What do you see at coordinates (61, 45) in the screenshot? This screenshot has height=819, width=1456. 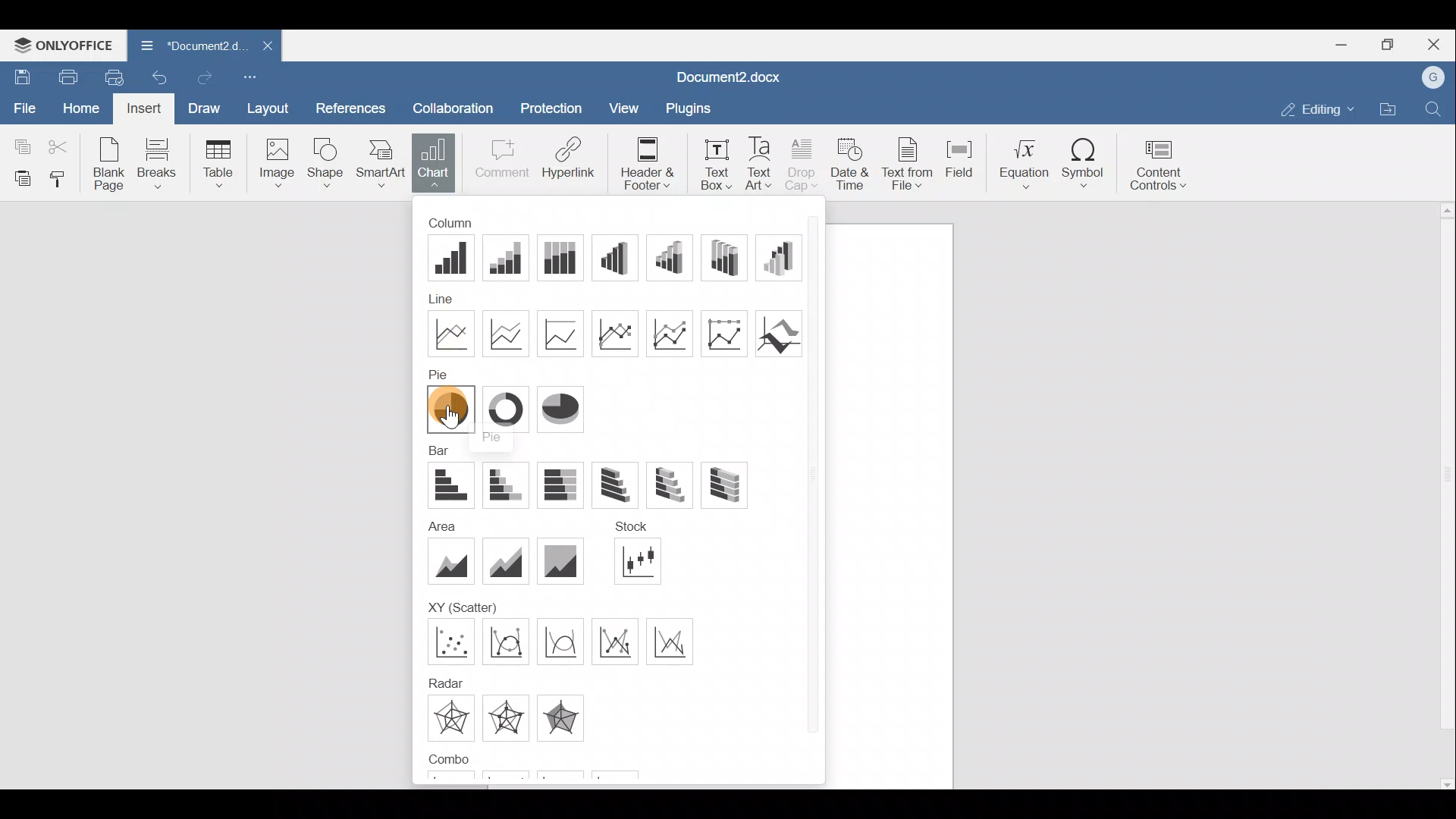 I see `ONLYOFFICE Menu` at bounding box center [61, 45].